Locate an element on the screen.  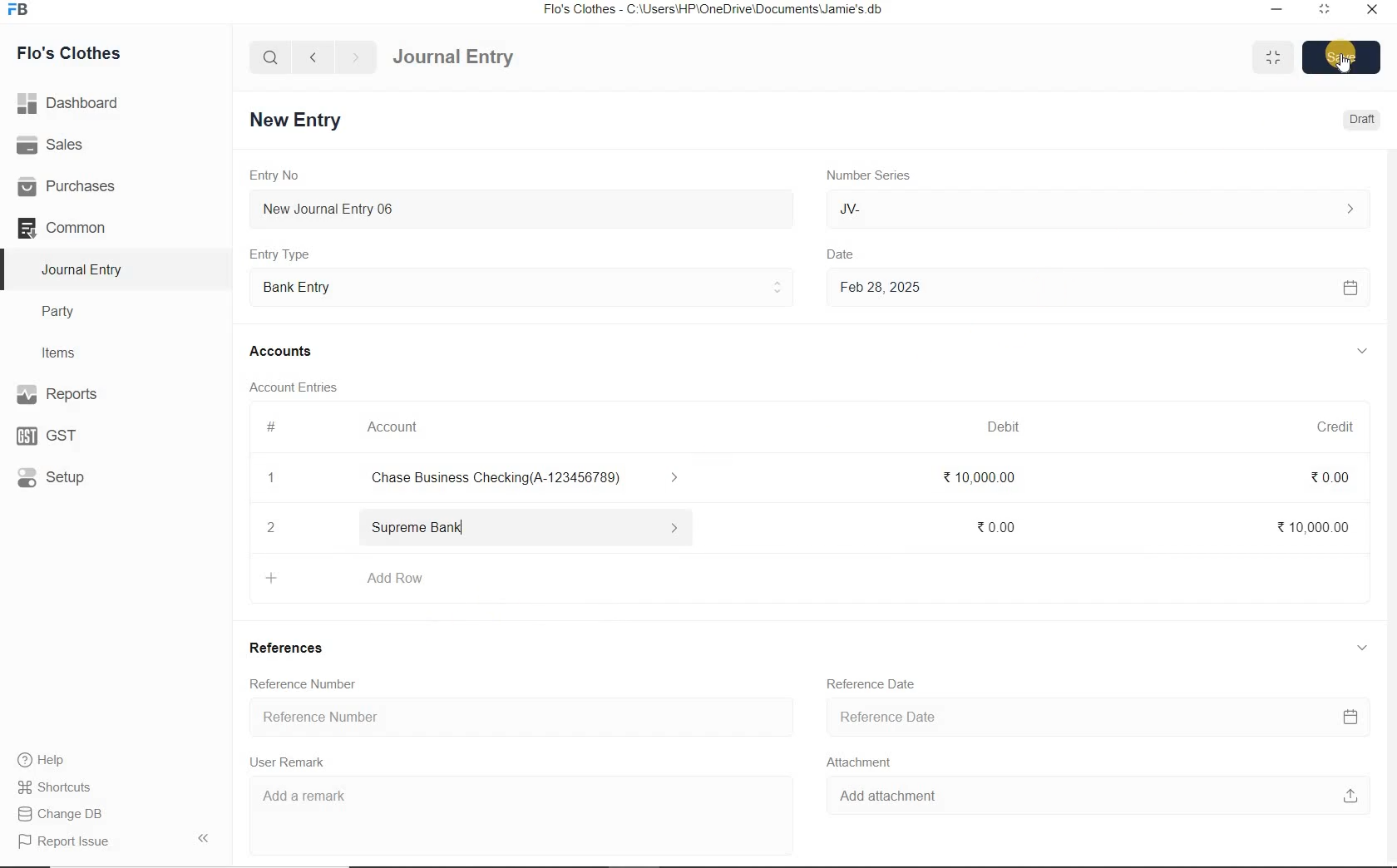
JV is located at coordinates (1097, 209).